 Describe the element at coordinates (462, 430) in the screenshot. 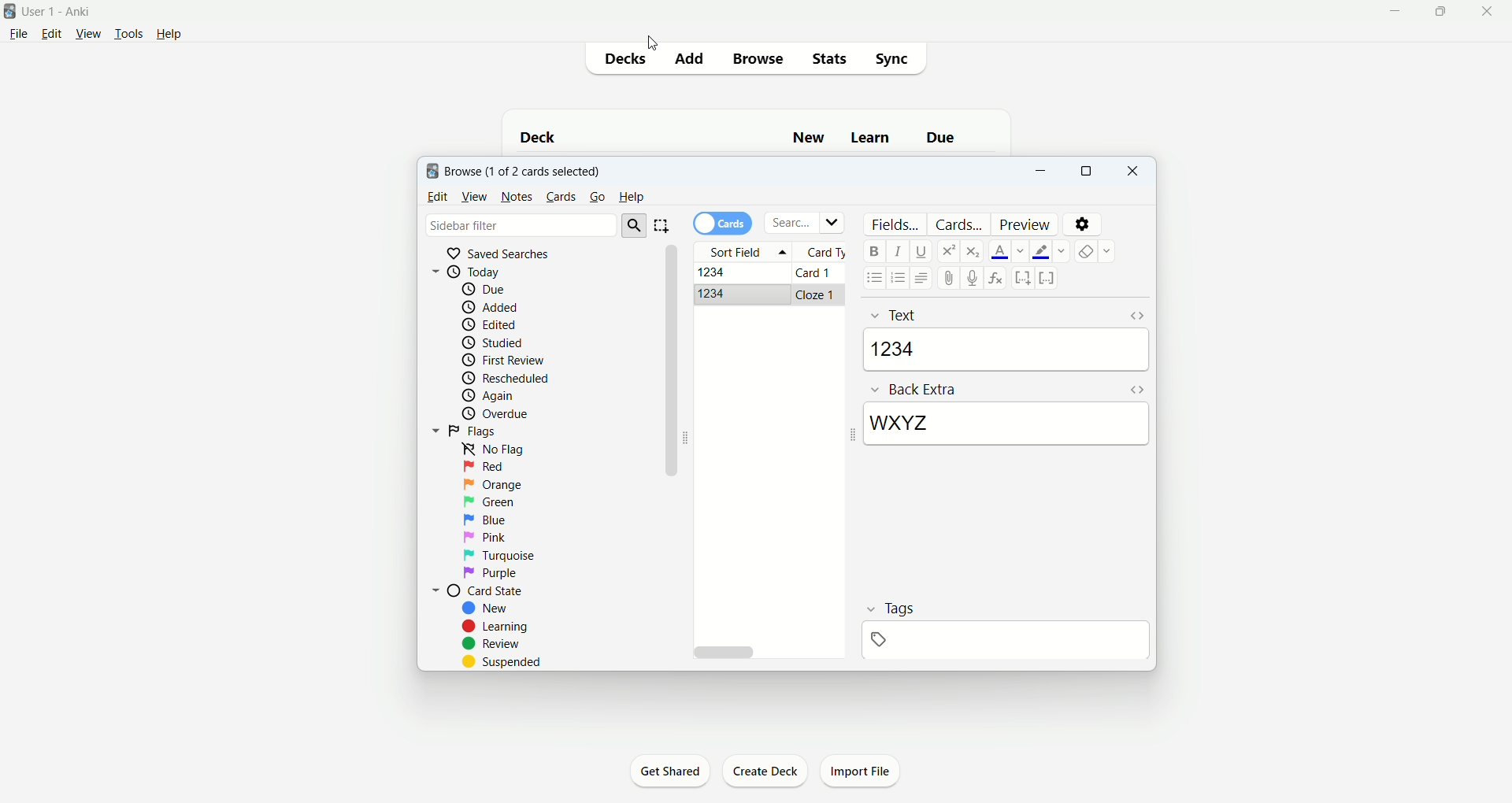

I see `flags` at that location.